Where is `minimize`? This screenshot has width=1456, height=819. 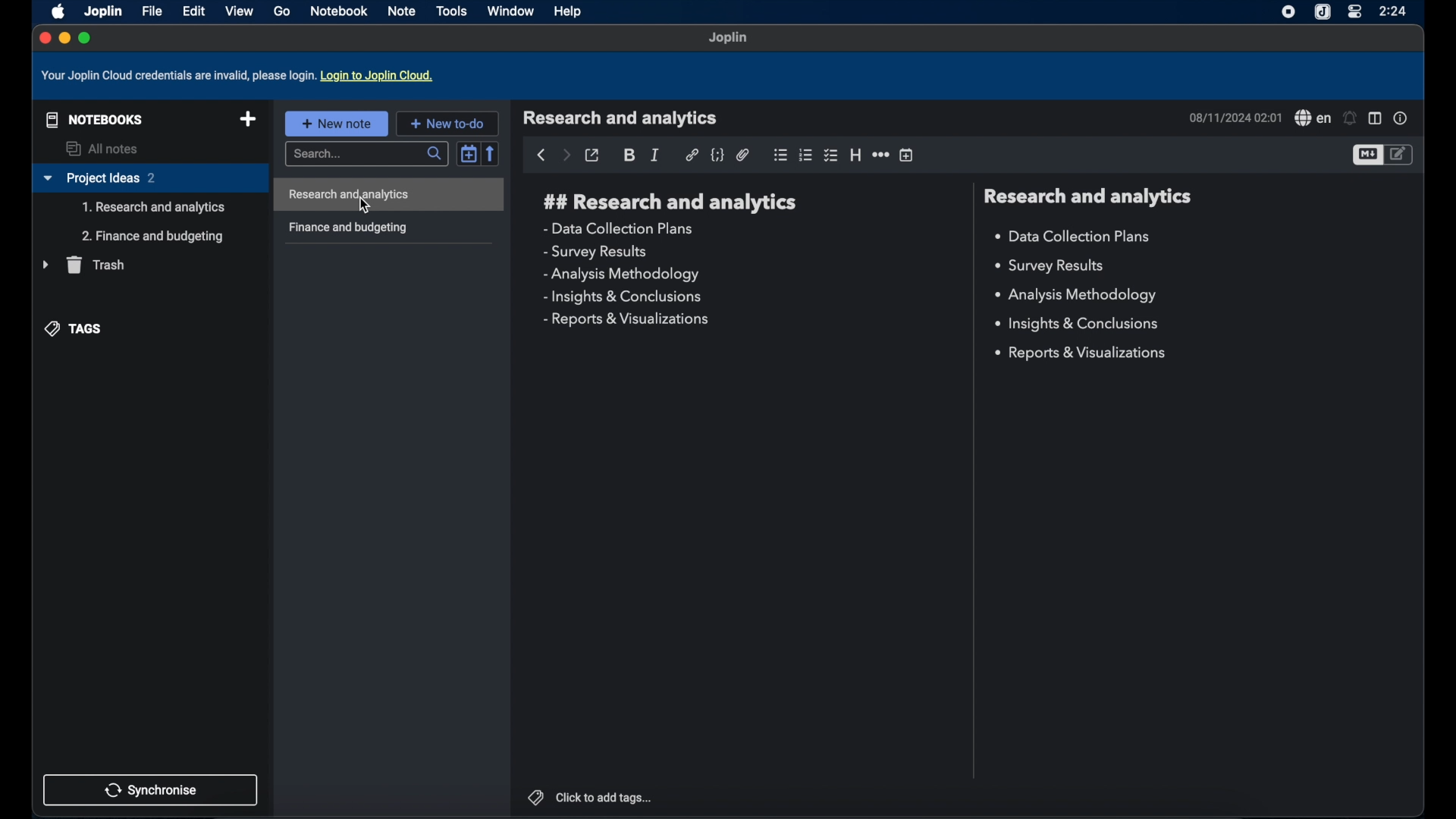 minimize is located at coordinates (64, 39).